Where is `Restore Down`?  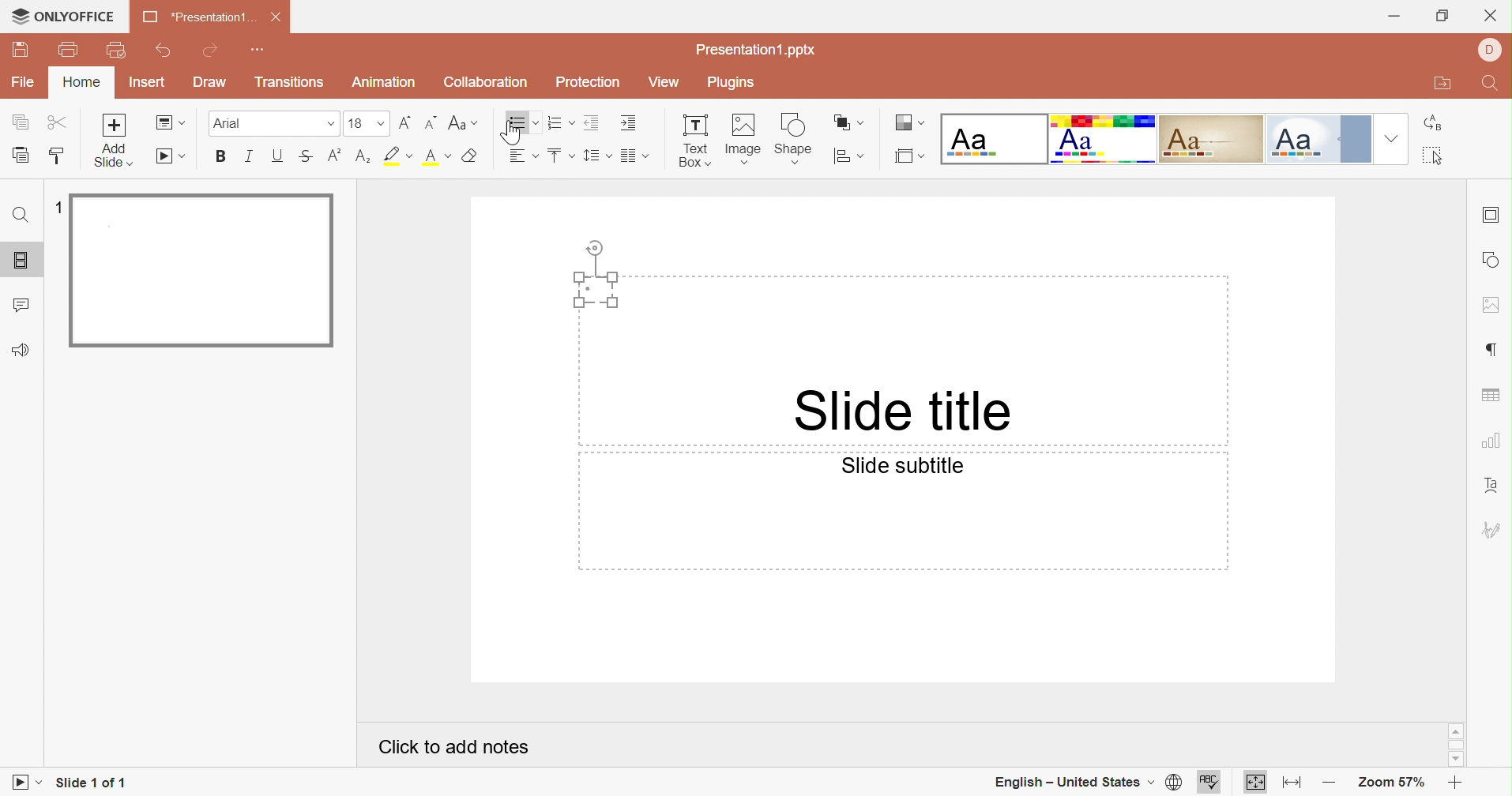 Restore Down is located at coordinates (1442, 17).